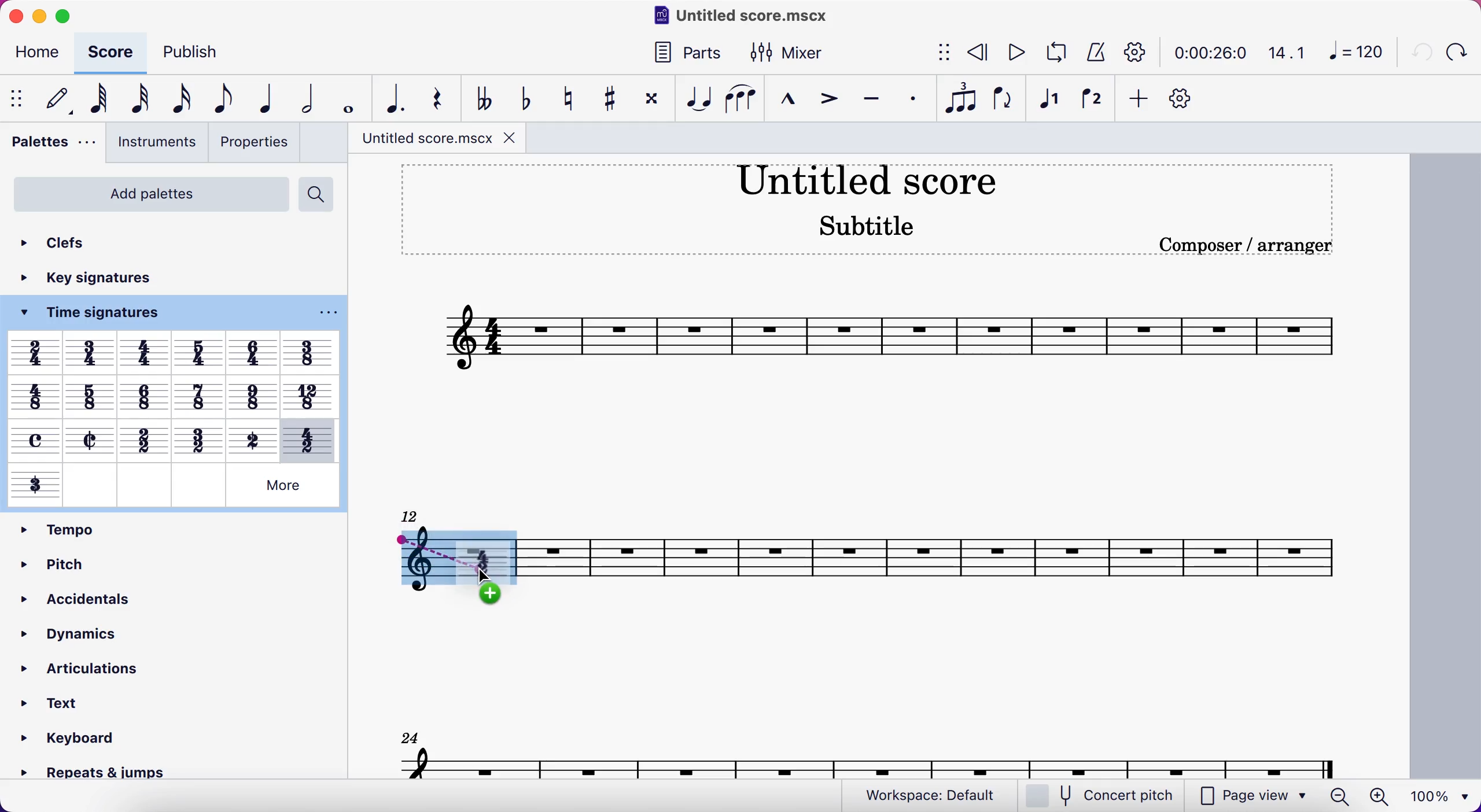  Describe the element at coordinates (437, 98) in the screenshot. I see `rest` at that location.